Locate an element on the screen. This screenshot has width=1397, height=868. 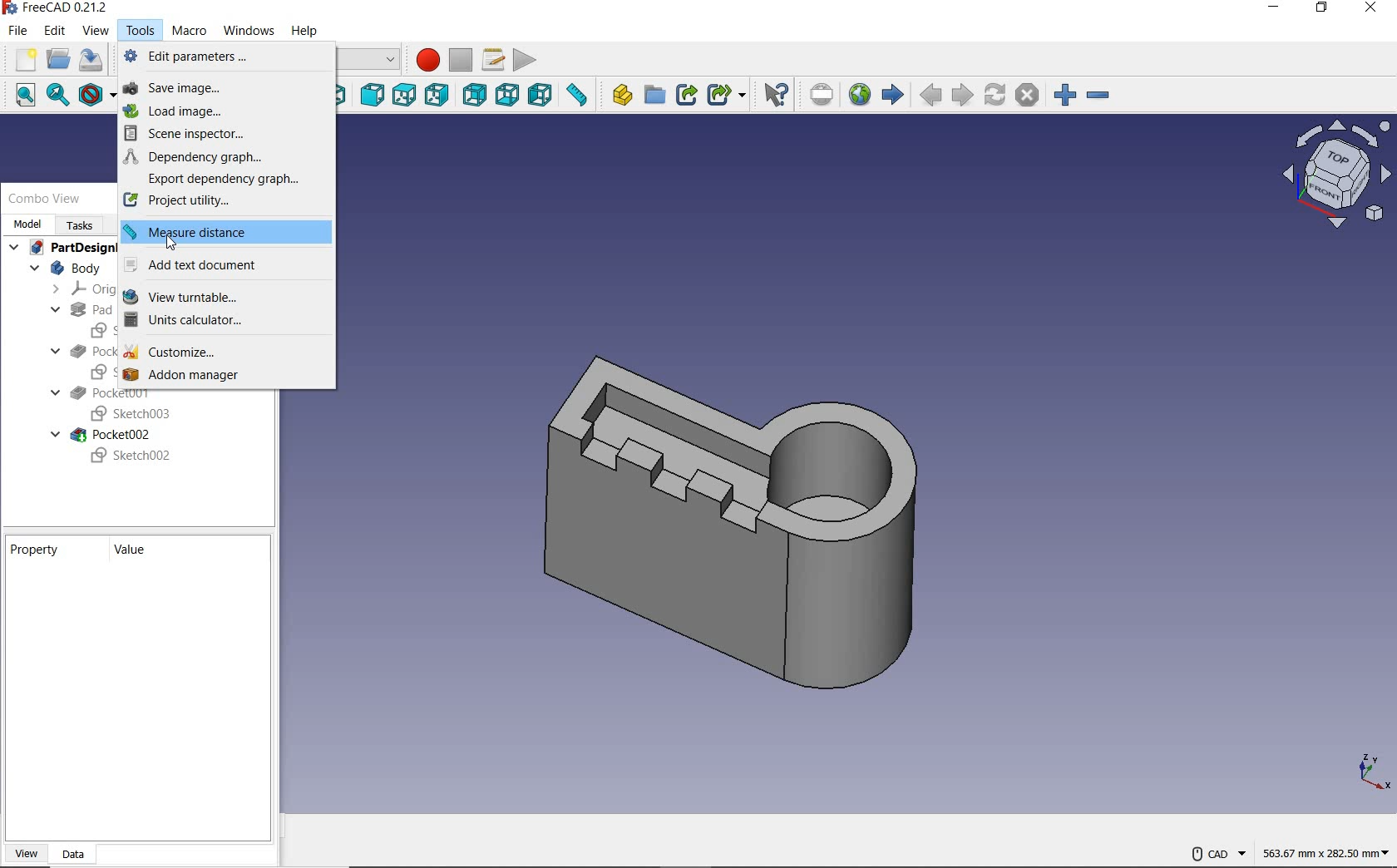
COMBO VIEW is located at coordinates (46, 199).